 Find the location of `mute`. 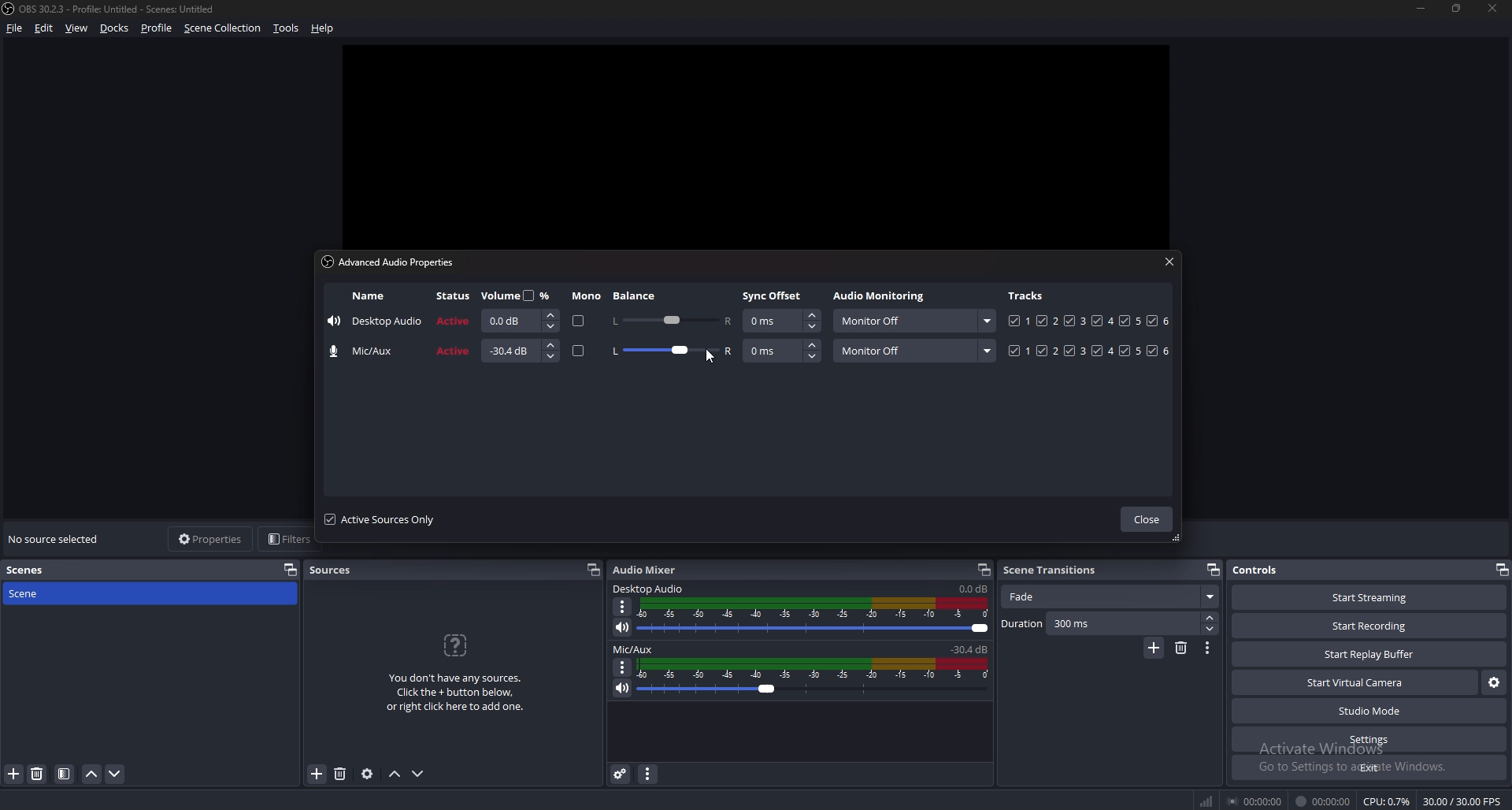

mute is located at coordinates (621, 689).